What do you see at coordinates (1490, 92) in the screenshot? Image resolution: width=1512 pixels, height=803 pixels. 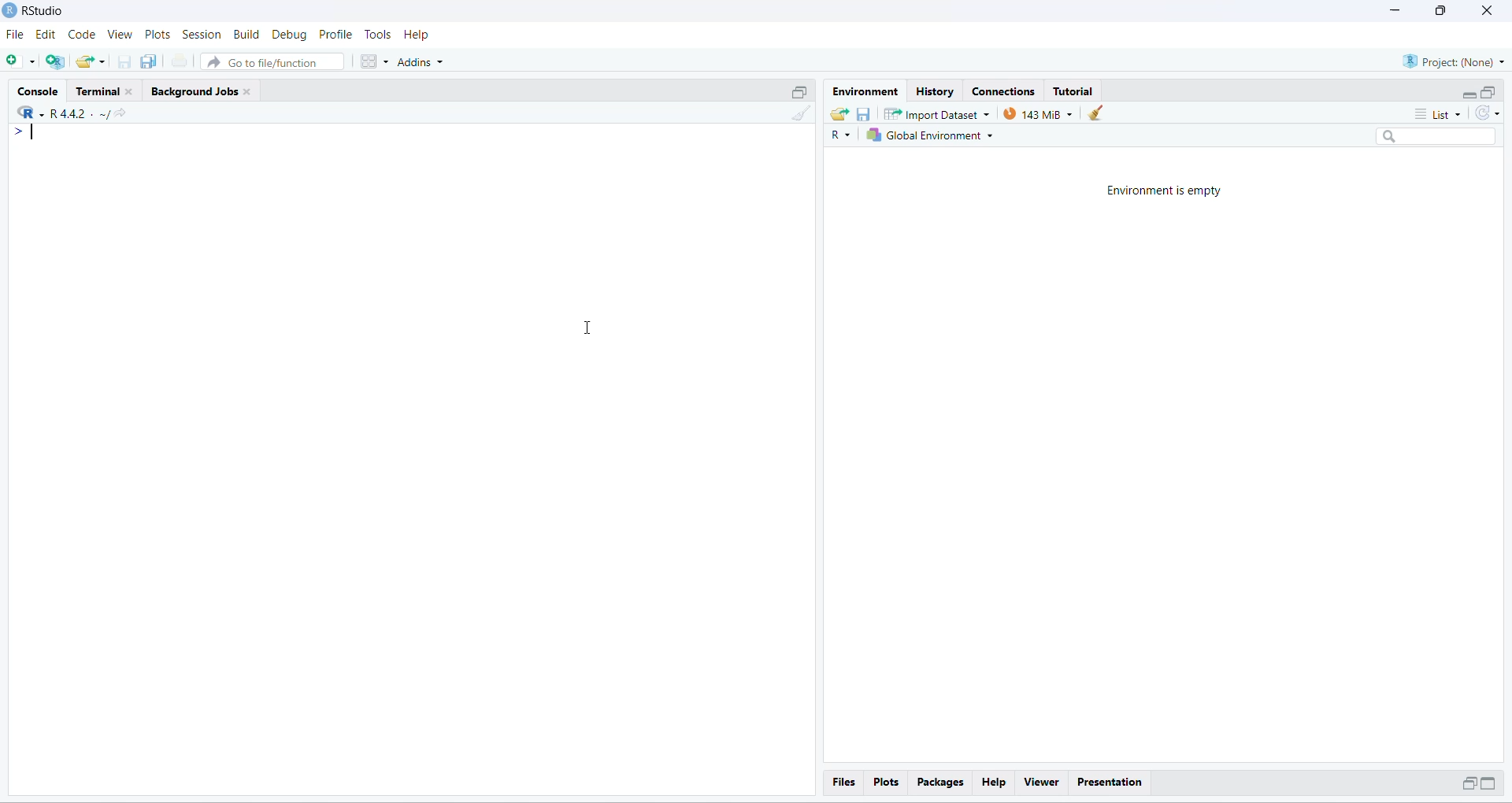 I see `open in separate window` at bounding box center [1490, 92].